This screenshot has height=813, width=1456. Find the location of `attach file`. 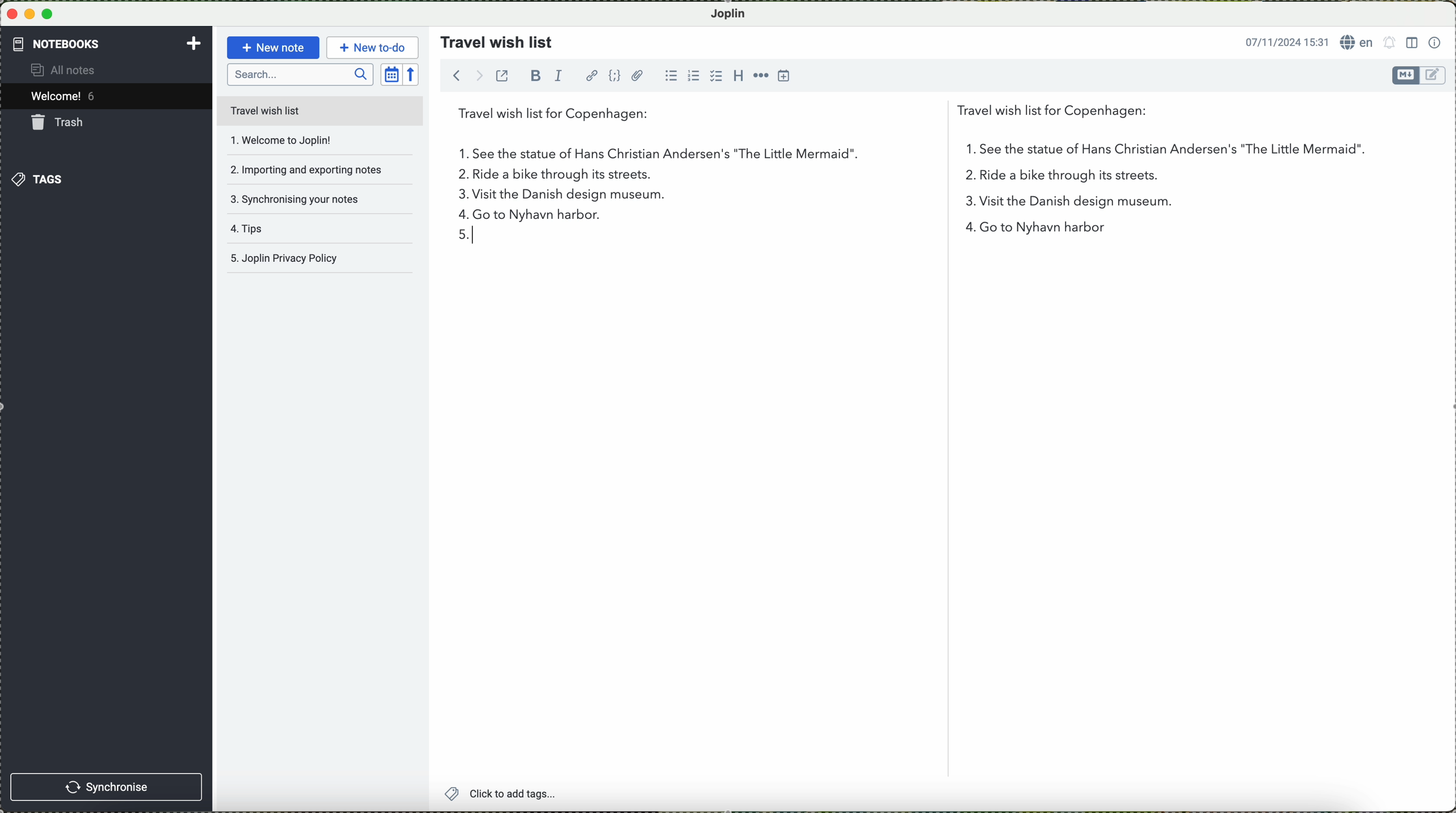

attach file is located at coordinates (638, 75).